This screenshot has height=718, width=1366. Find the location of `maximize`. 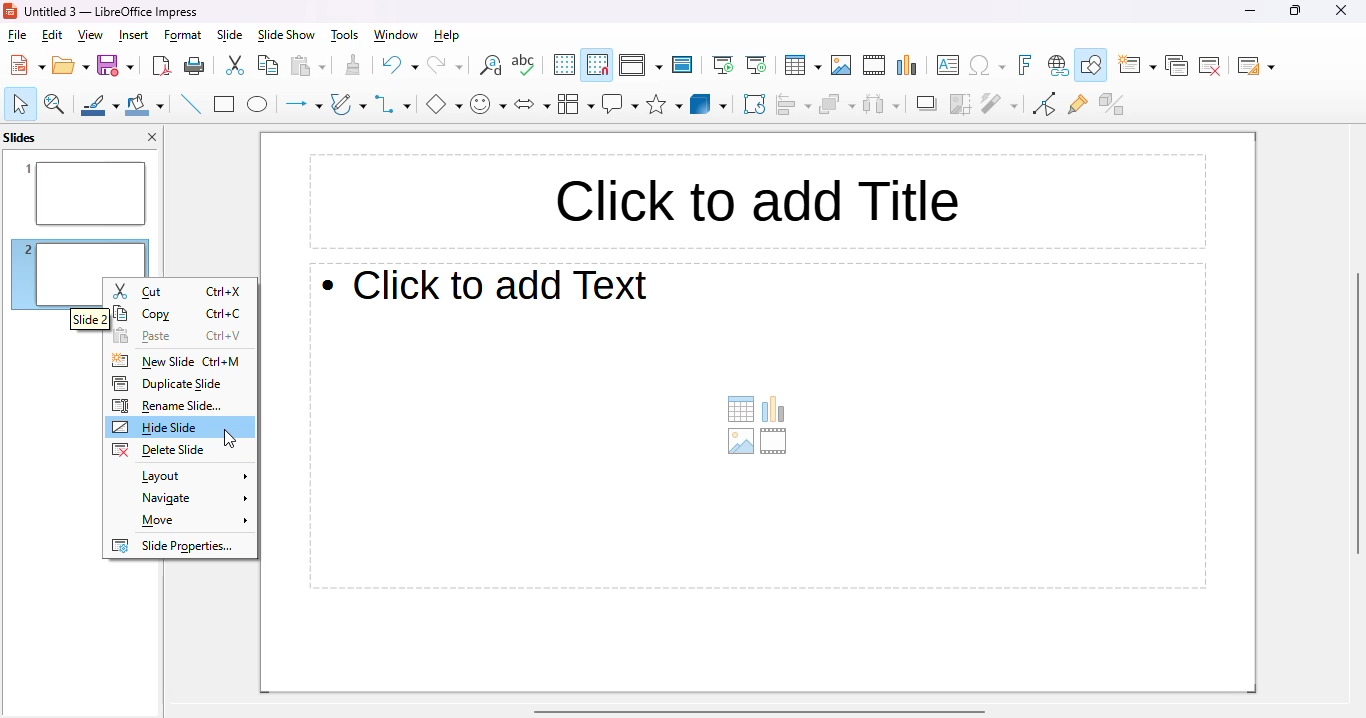

maximize is located at coordinates (1296, 11).